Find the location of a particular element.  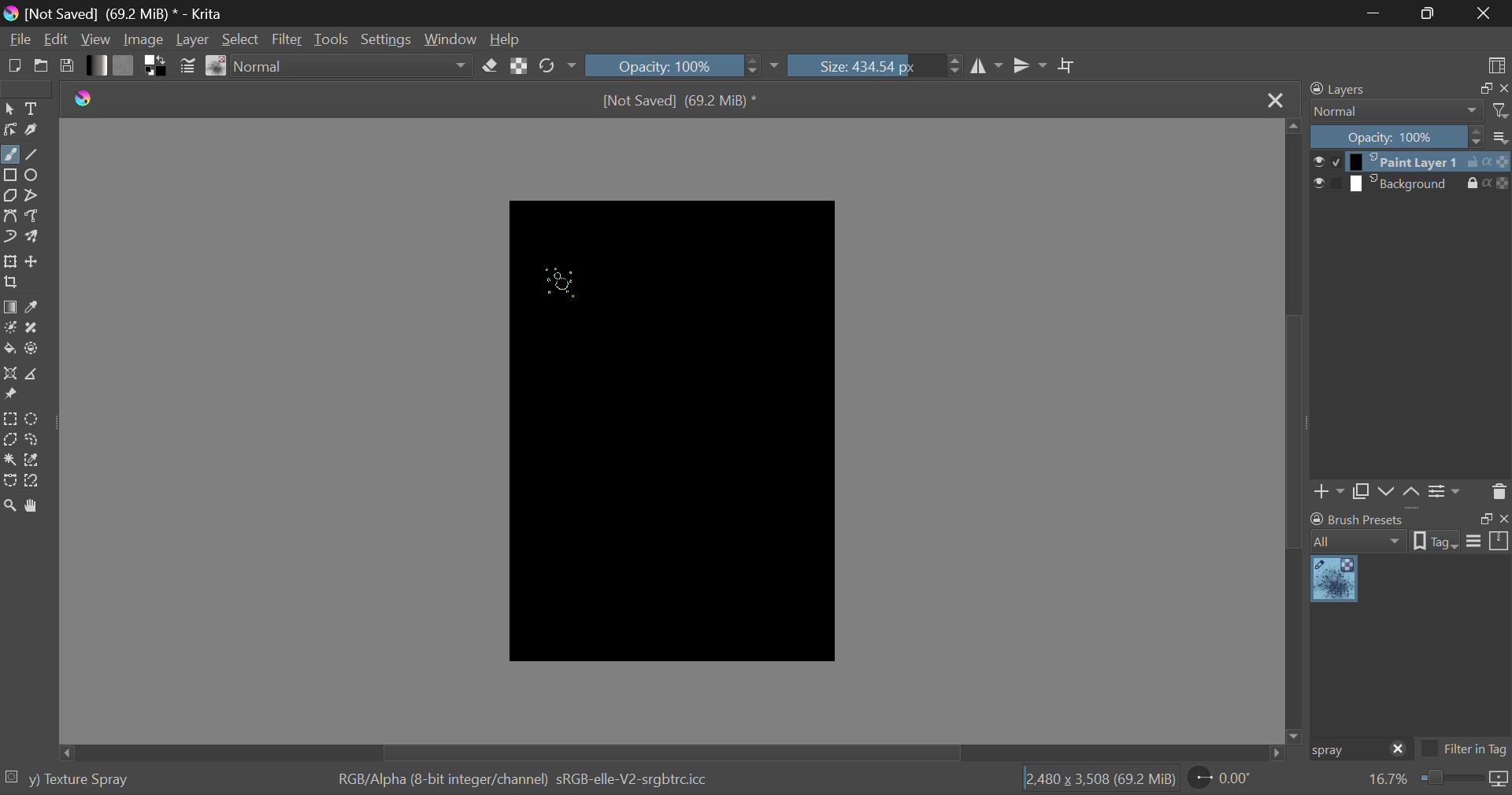

Open is located at coordinates (42, 65).